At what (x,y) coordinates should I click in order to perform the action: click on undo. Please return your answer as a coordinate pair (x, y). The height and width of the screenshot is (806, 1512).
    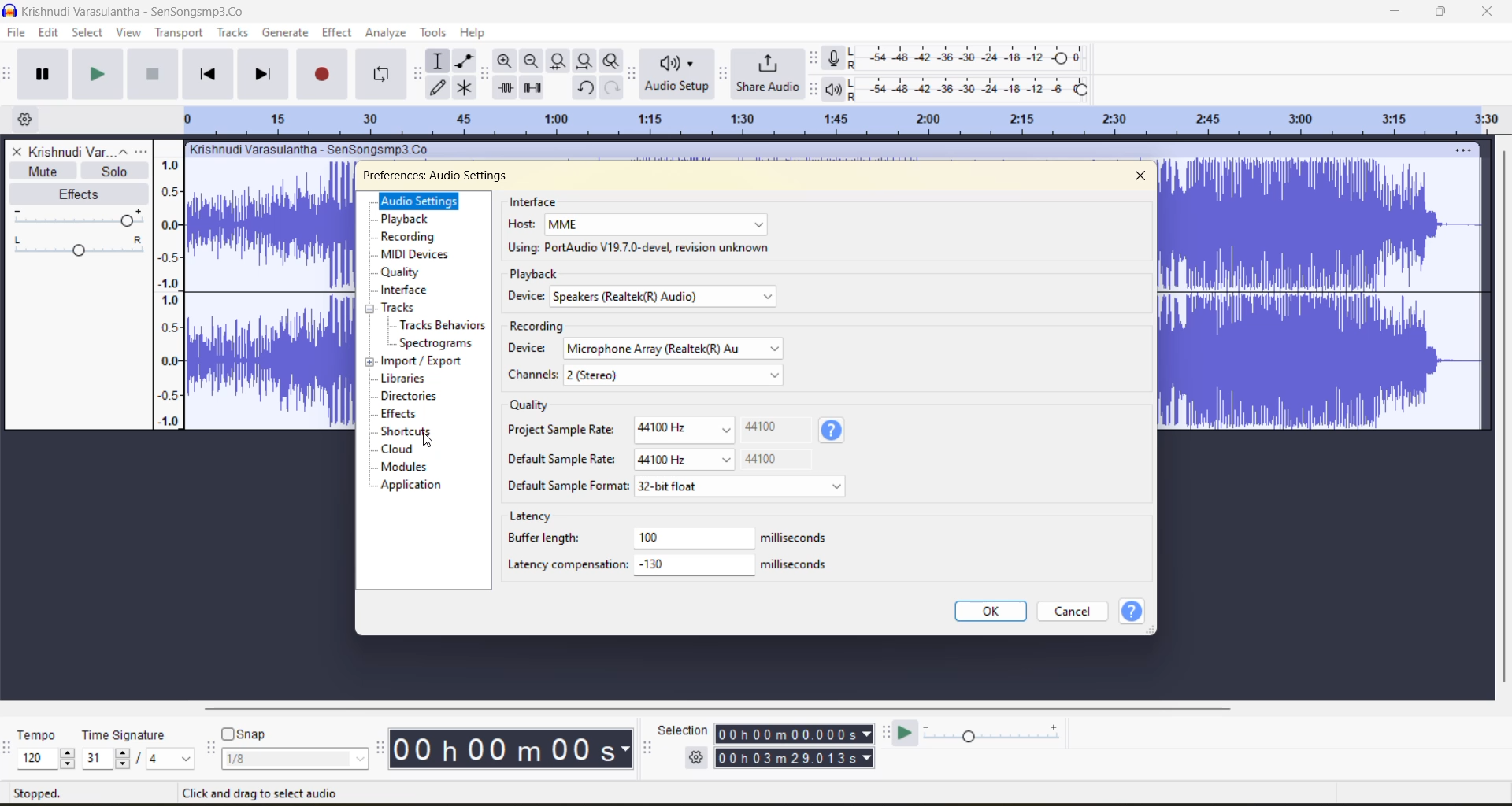
    Looking at the image, I should click on (585, 88).